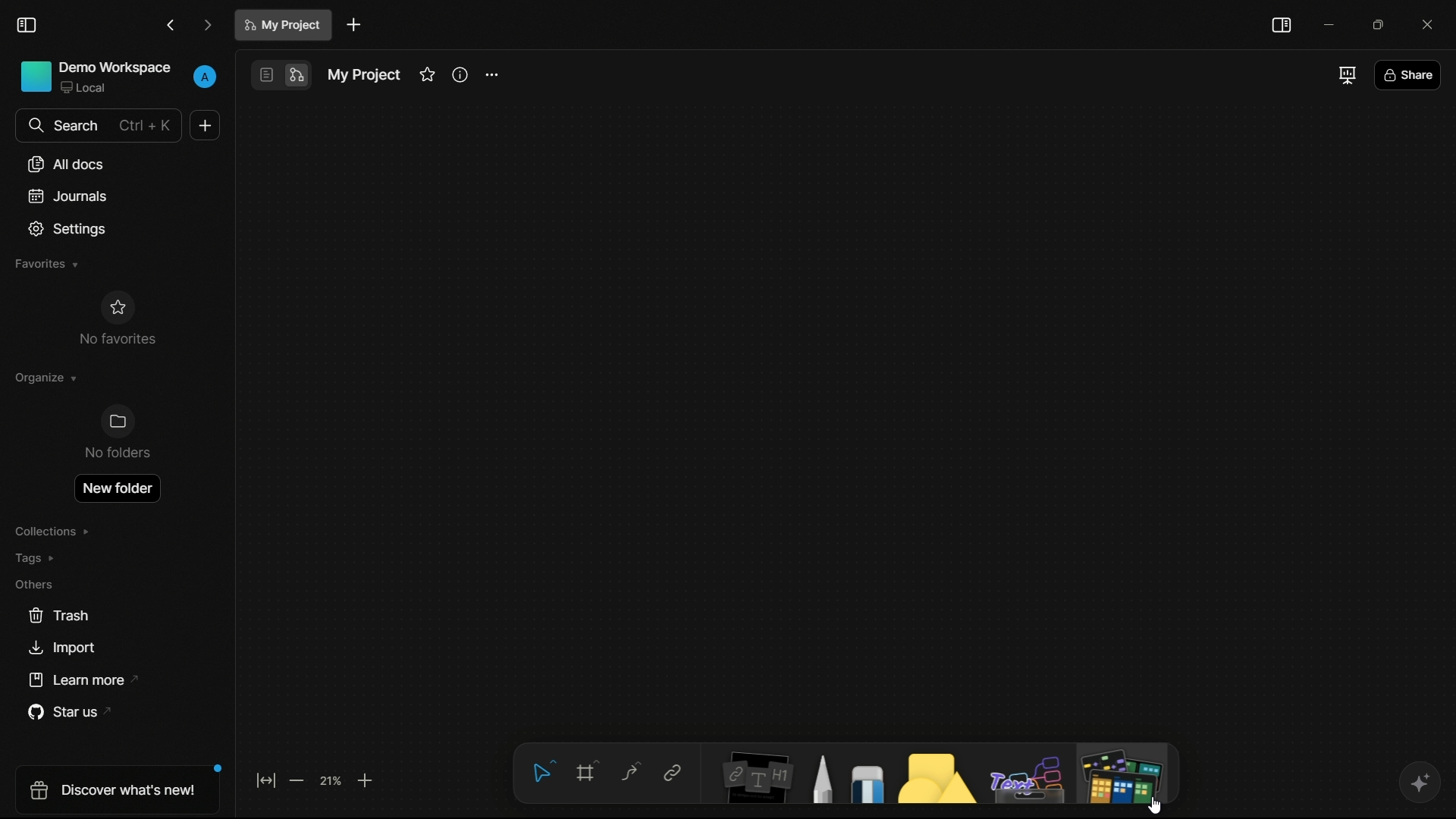 The width and height of the screenshot is (1456, 819). I want to click on minimize, so click(1327, 22).